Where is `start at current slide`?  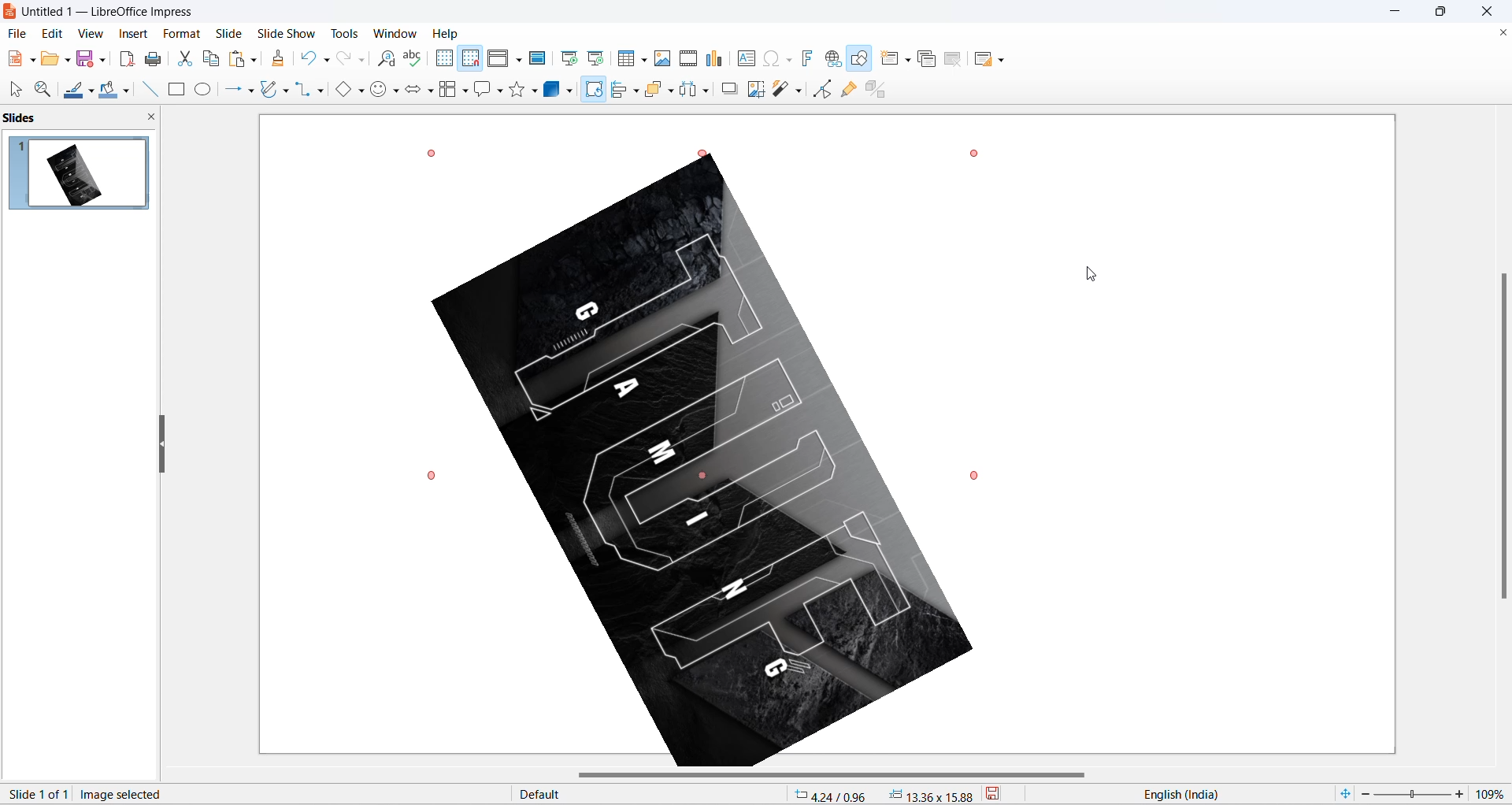
start at current slide is located at coordinates (598, 57).